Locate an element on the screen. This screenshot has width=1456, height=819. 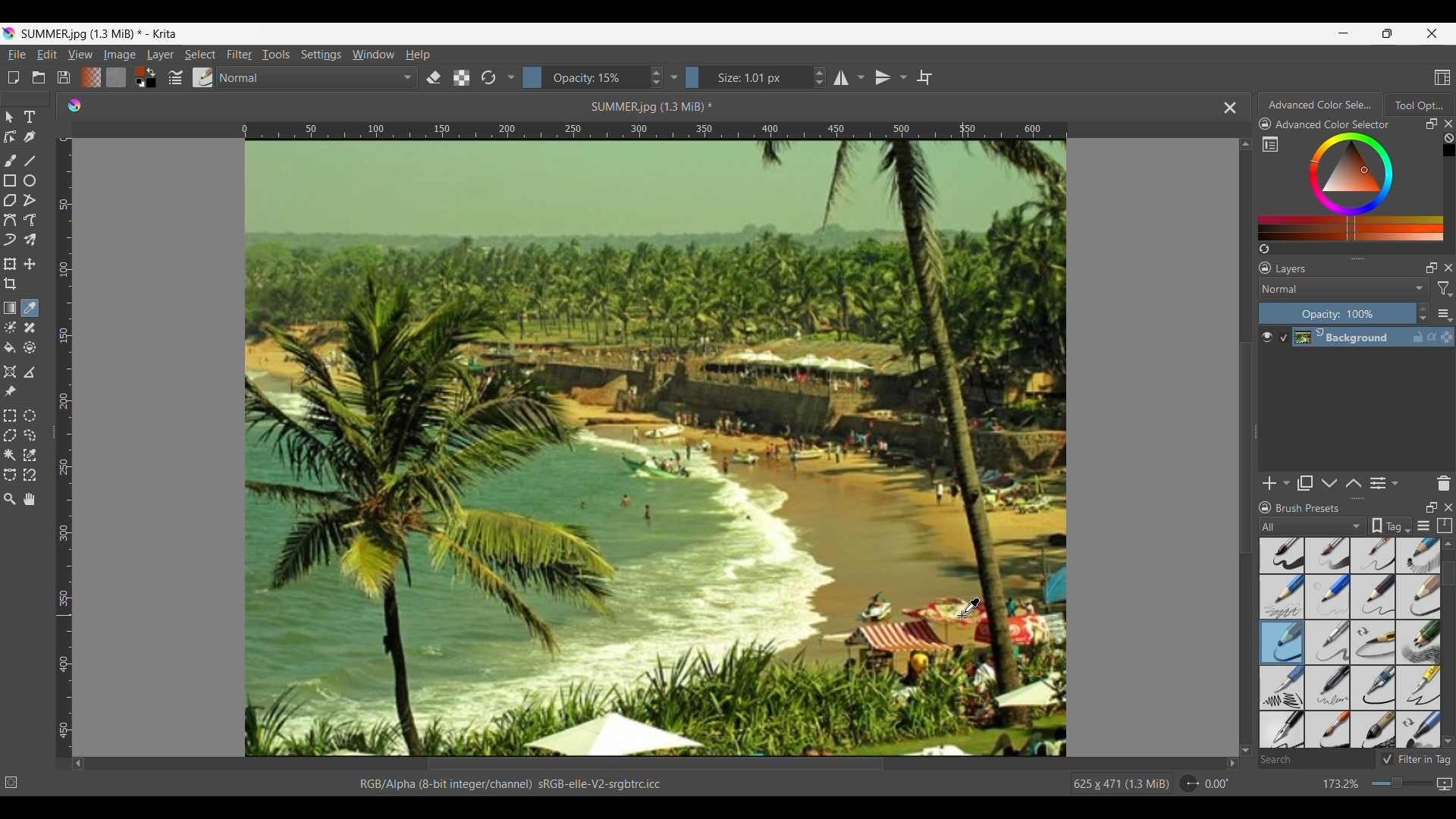
Close tab is located at coordinates (1231, 108).